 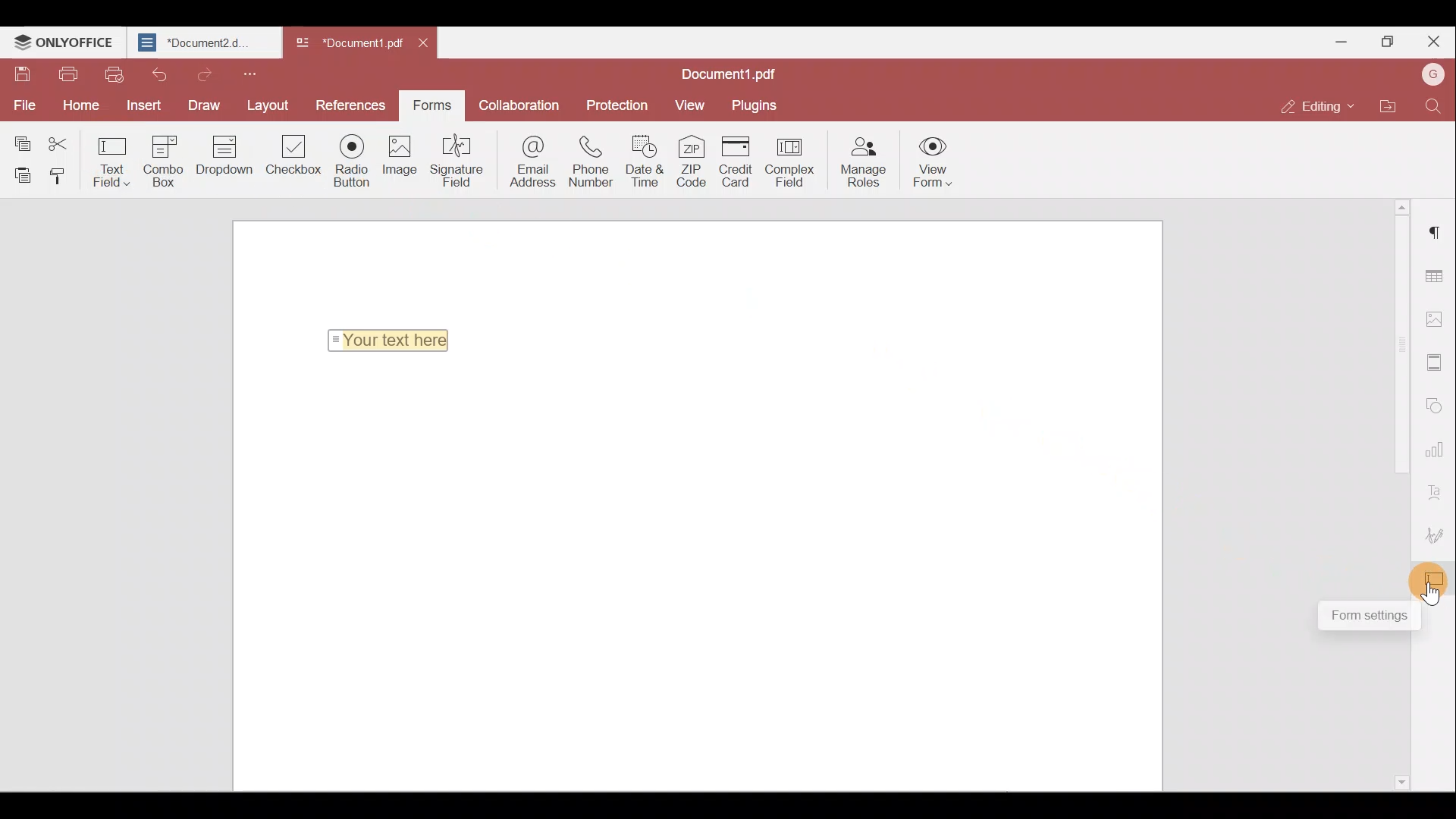 I want to click on Date & time, so click(x=645, y=165).